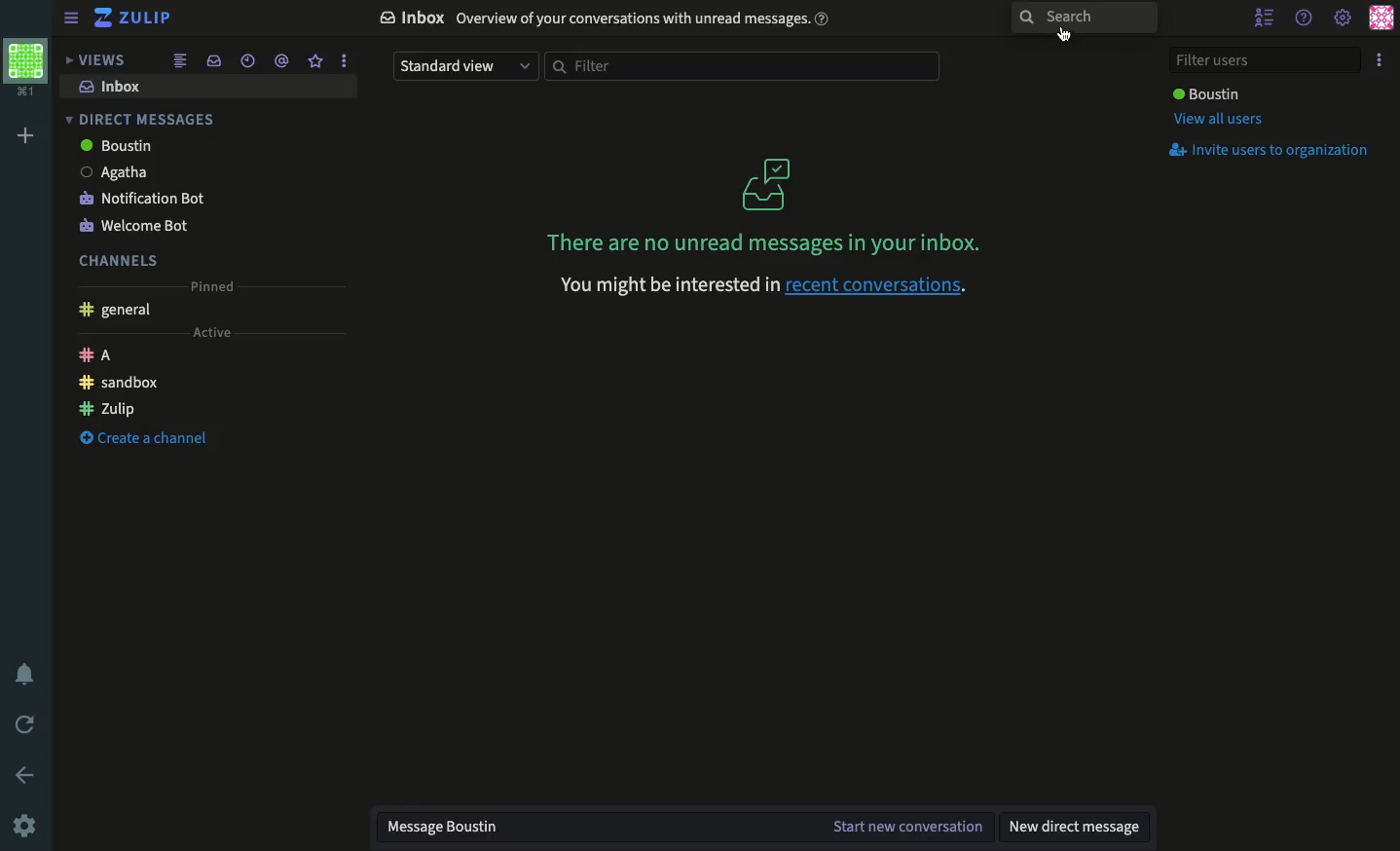 The width and height of the screenshot is (1400, 851). What do you see at coordinates (212, 286) in the screenshot?
I see `Pinned` at bounding box center [212, 286].